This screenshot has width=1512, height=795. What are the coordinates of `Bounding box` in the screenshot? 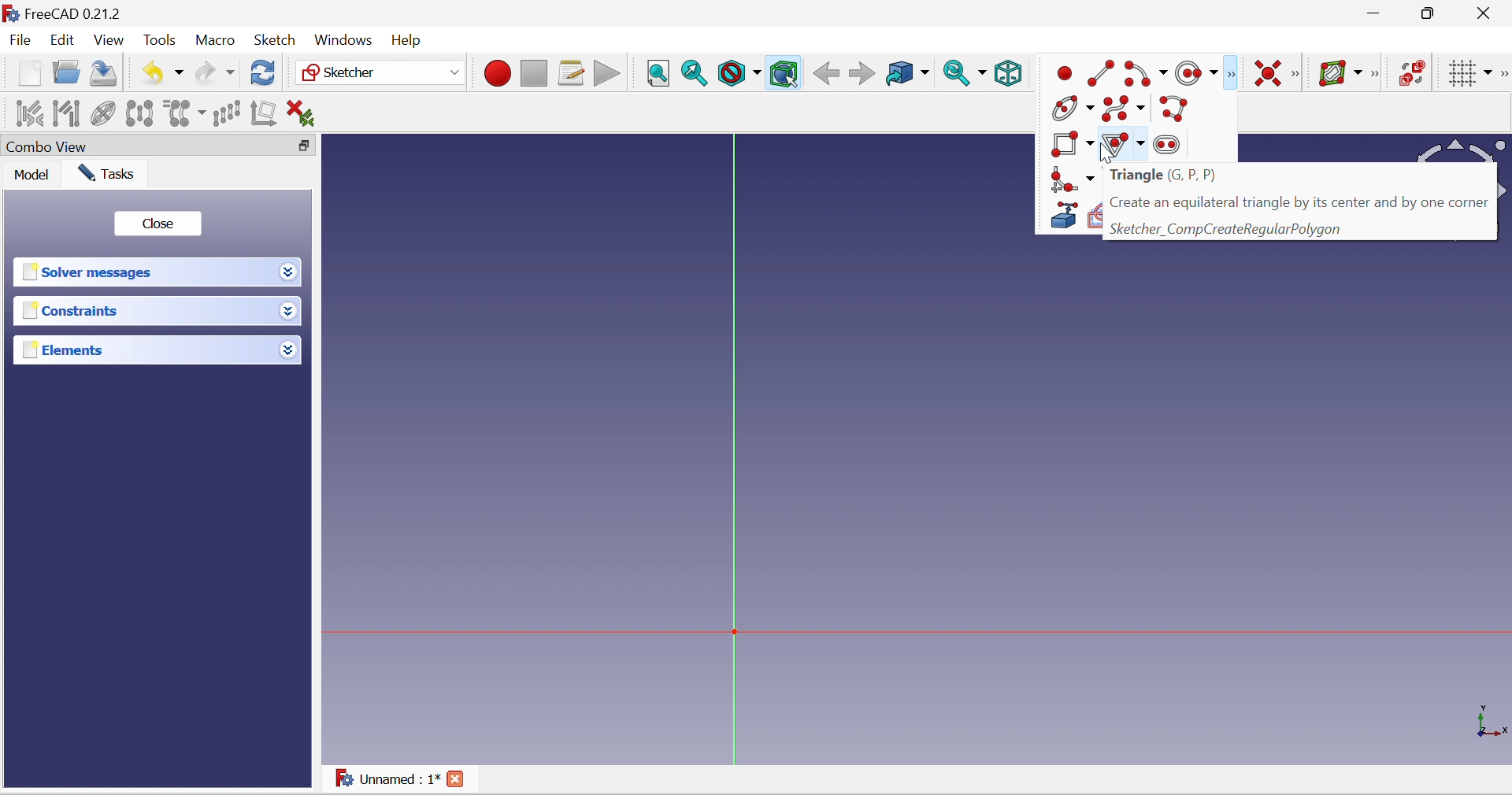 It's located at (785, 74).